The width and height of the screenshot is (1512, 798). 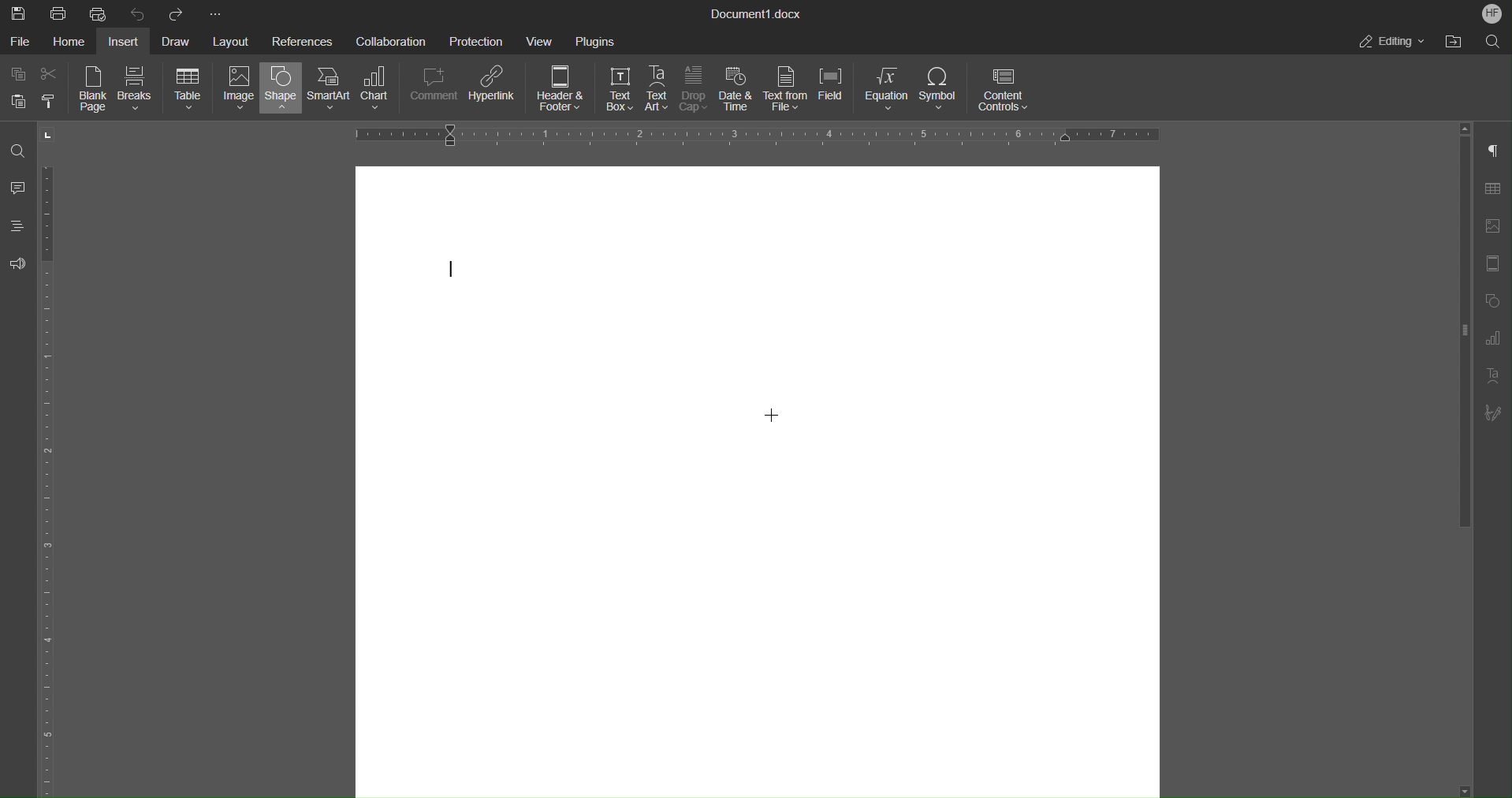 I want to click on Shape Settings, so click(x=1496, y=300).